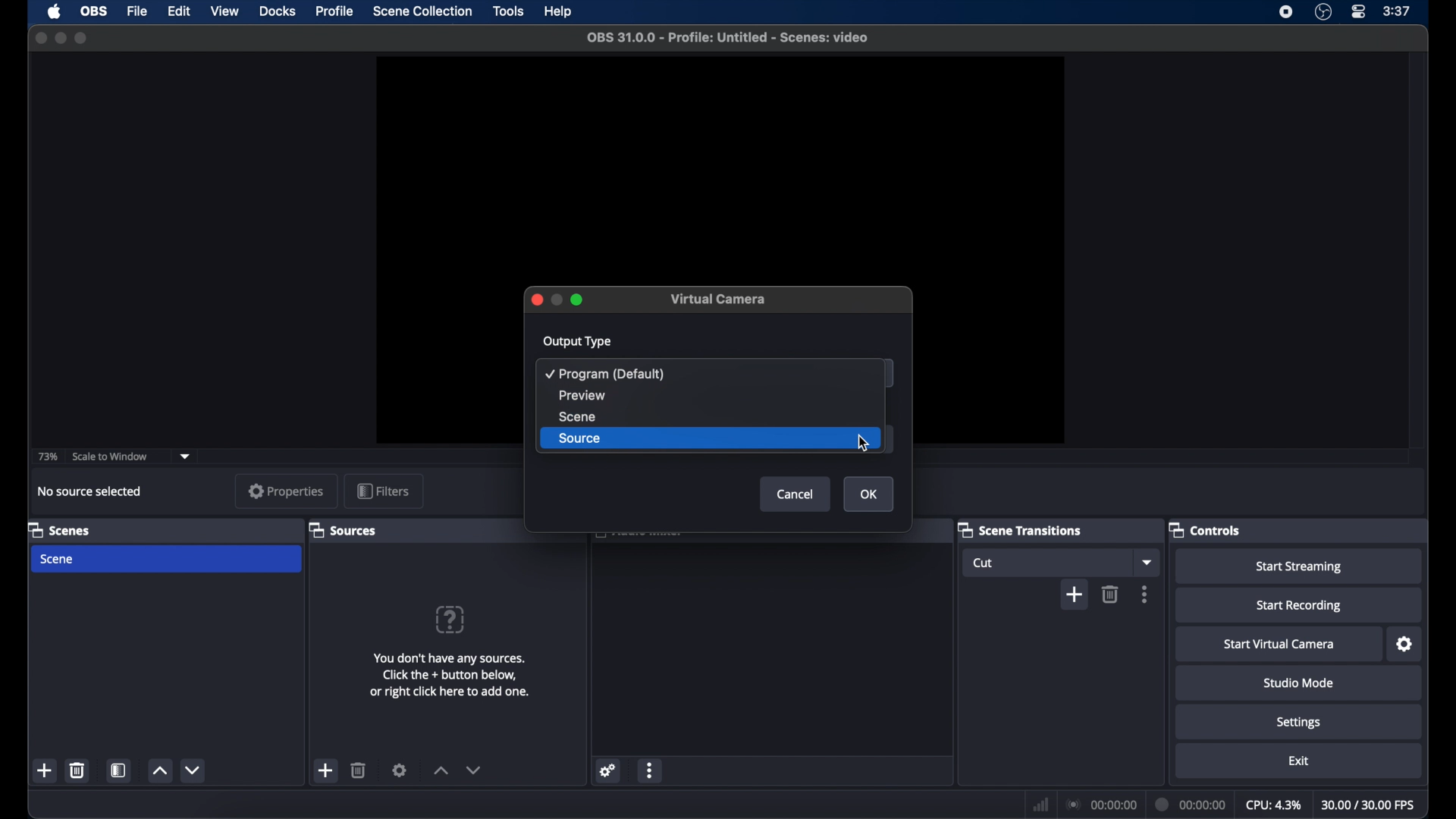  I want to click on cut, so click(987, 563).